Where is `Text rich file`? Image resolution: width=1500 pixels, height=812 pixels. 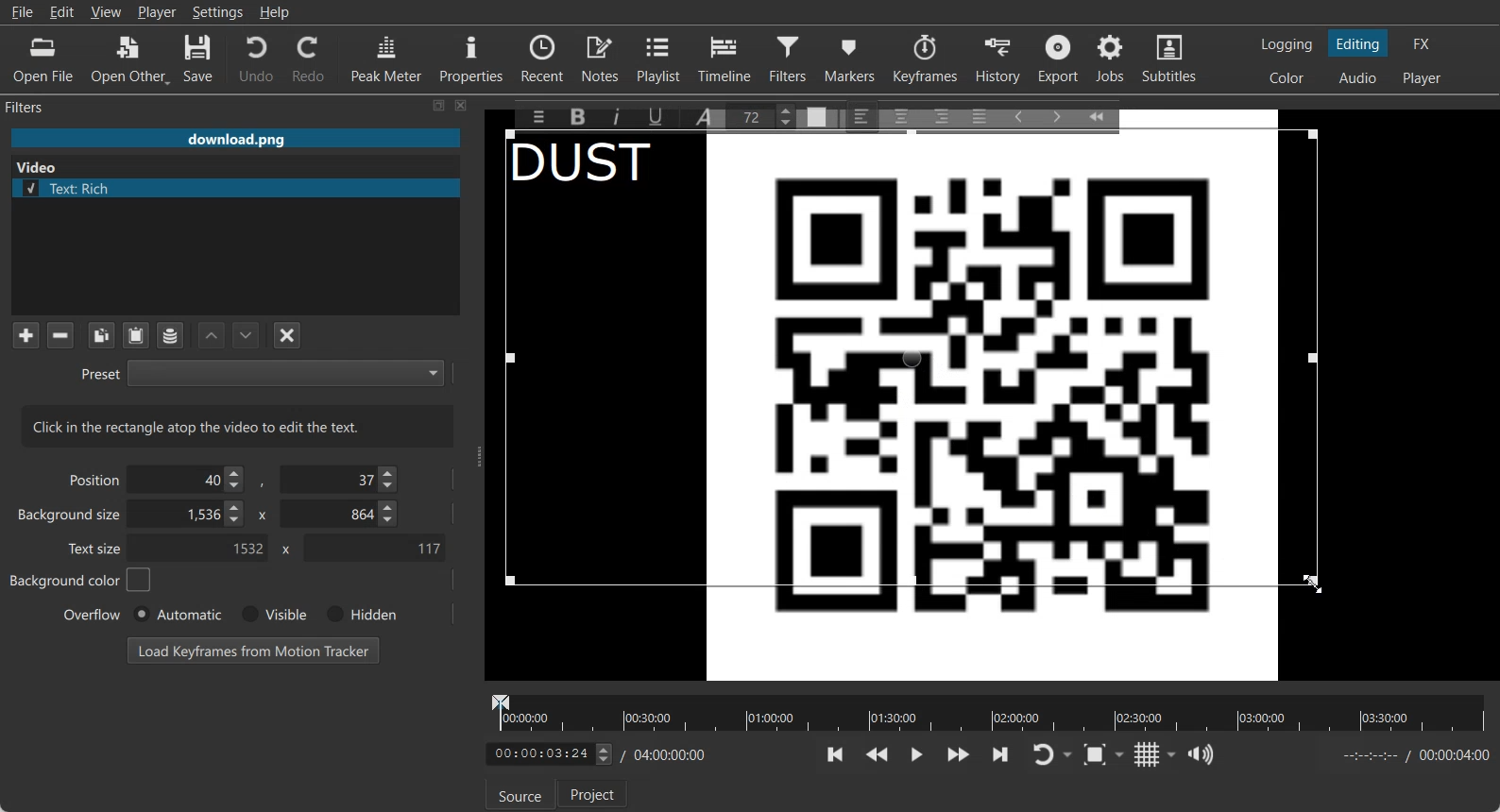 Text rich file is located at coordinates (243, 188).